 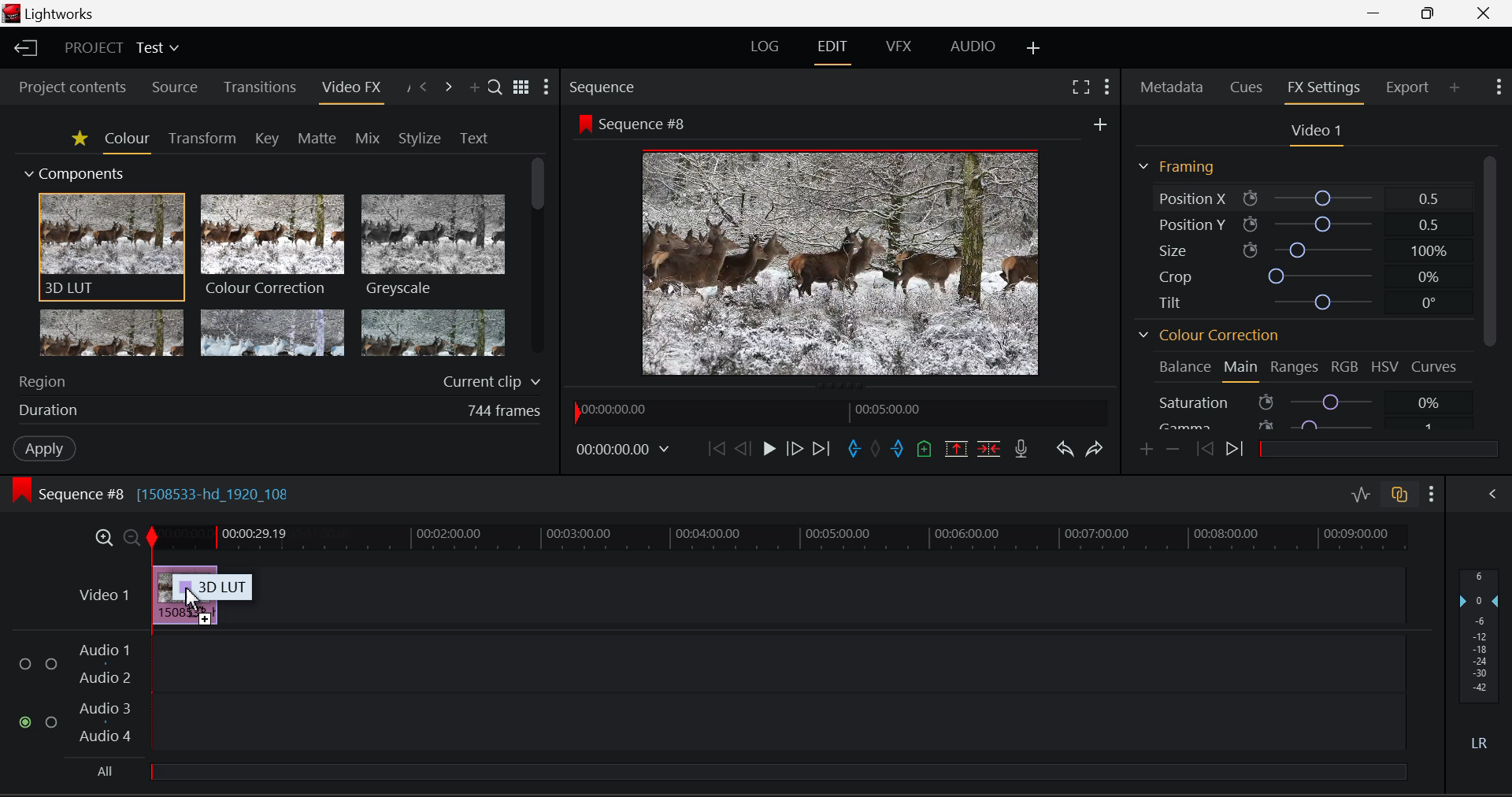 What do you see at coordinates (1433, 367) in the screenshot?
I see `Curves` at bounding box center [1433, 367].